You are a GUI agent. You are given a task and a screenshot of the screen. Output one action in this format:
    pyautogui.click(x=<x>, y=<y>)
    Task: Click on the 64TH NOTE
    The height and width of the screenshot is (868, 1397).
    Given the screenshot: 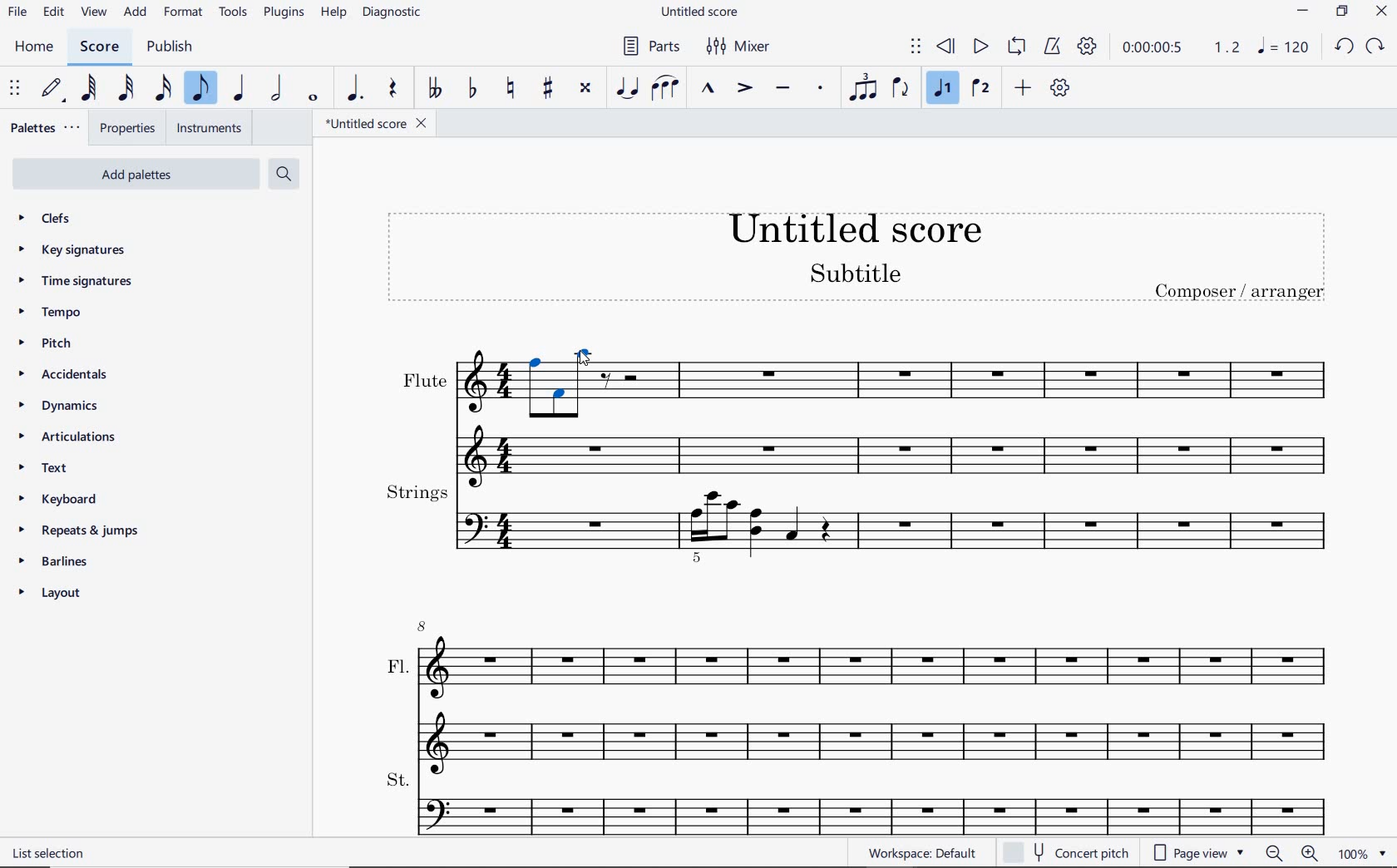 What is the action you would take?
    pyautogui.click(x=89, y=88)
    